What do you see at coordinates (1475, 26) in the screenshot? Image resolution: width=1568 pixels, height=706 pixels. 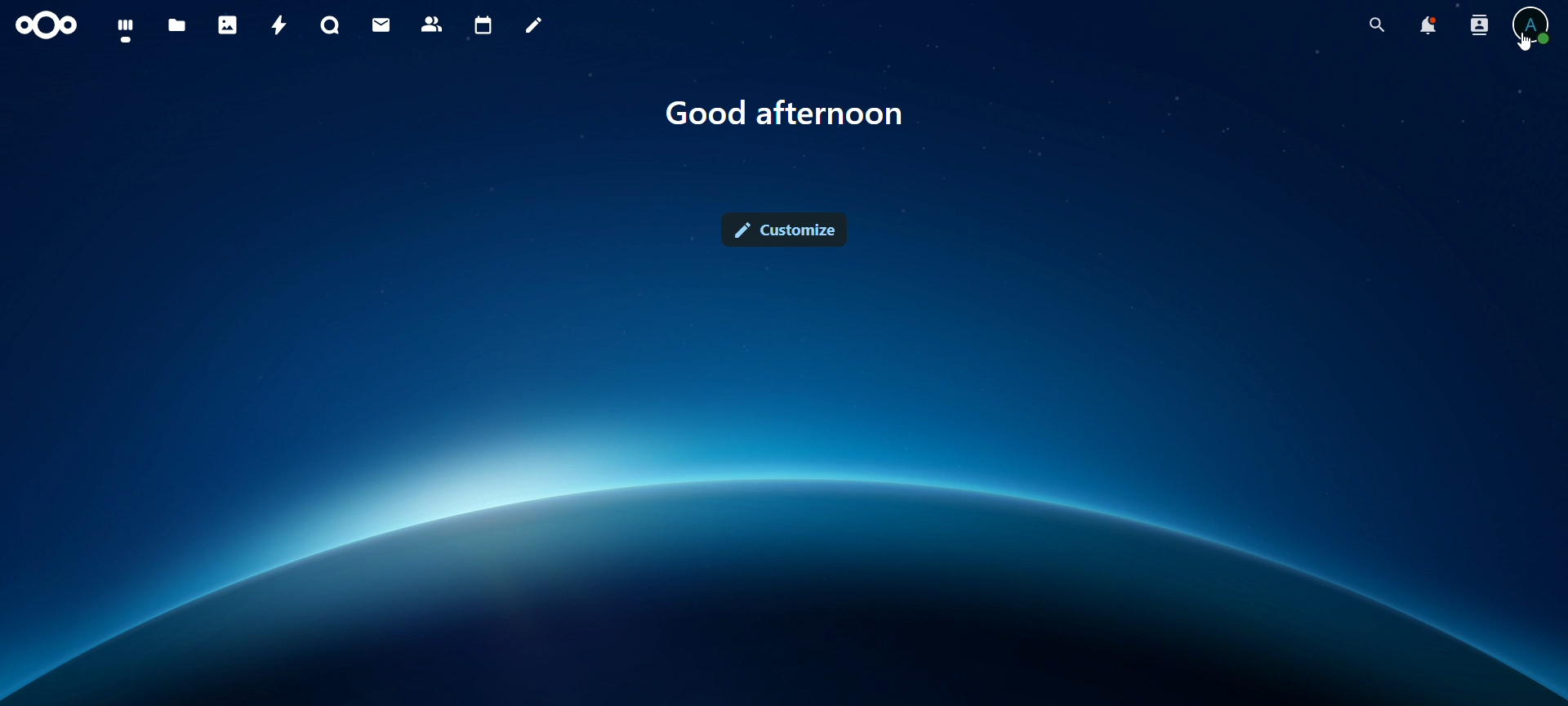 I see `search contacts` at bounding box center [1475, 26].